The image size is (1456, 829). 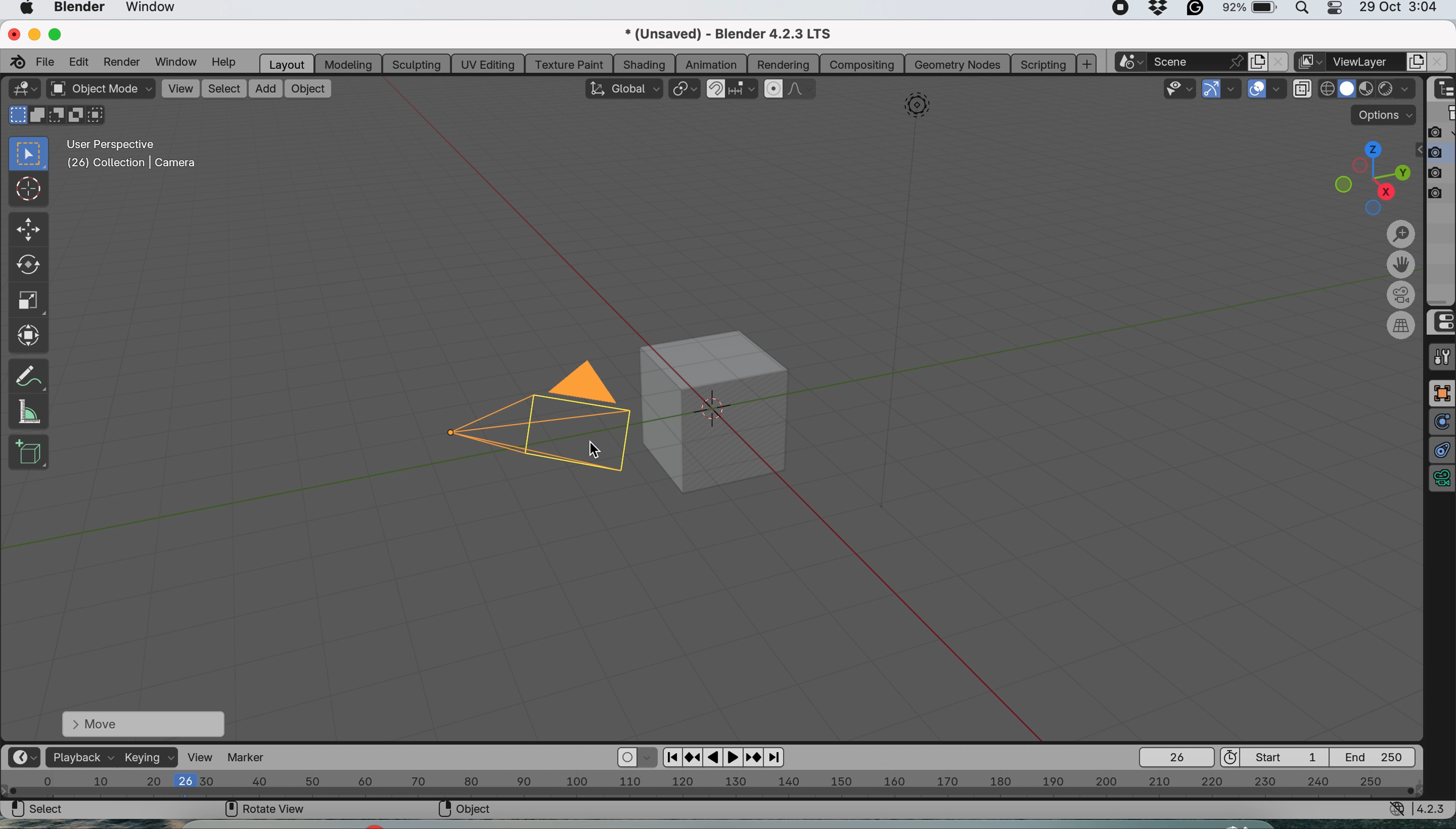 What do you see at coordinates (12, 32) in the screenshot?
I see `close` at bounding box center [12, 32].